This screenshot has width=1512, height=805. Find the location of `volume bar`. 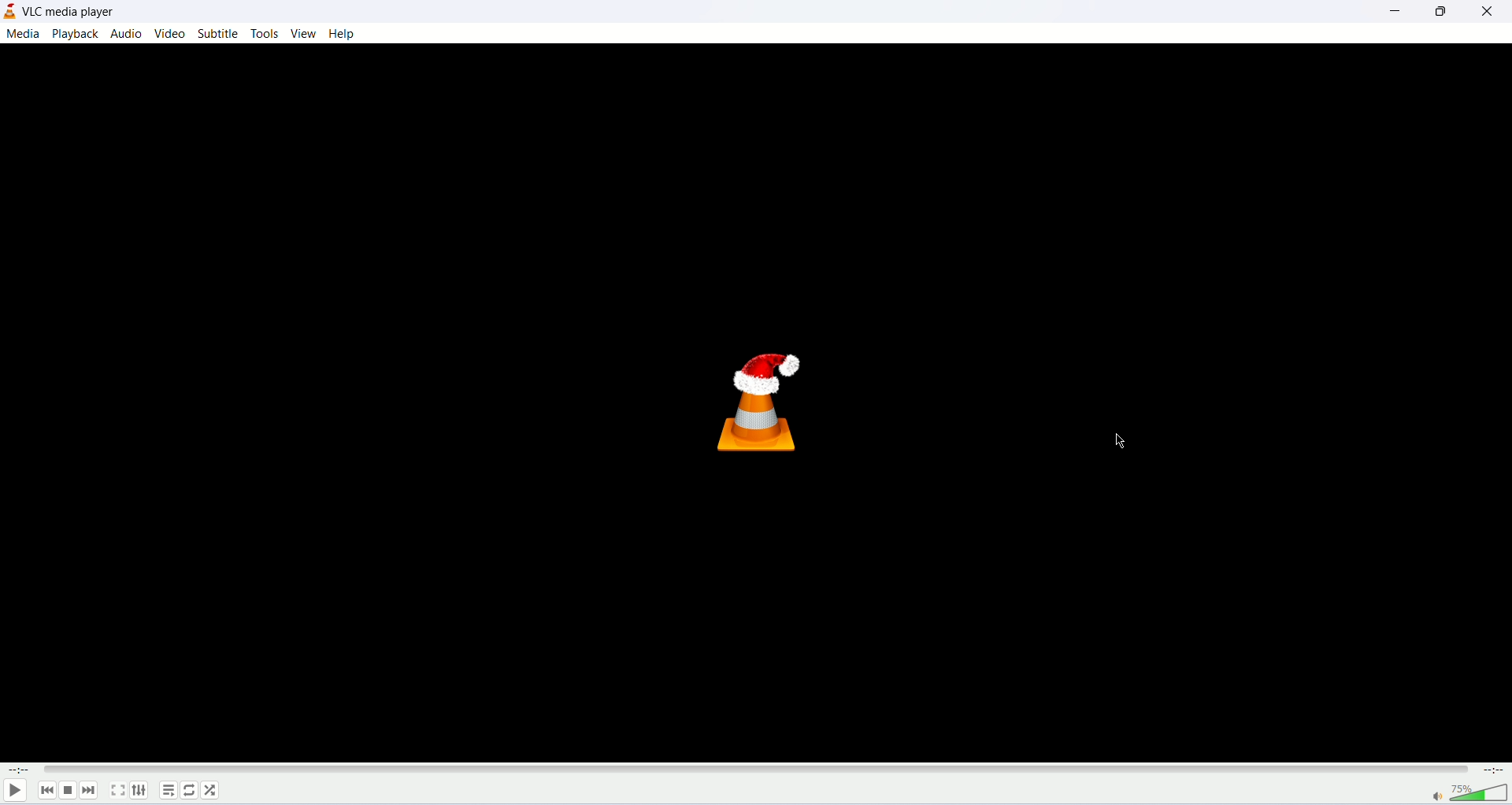

volume bar is located at coordinates (1480, 793).